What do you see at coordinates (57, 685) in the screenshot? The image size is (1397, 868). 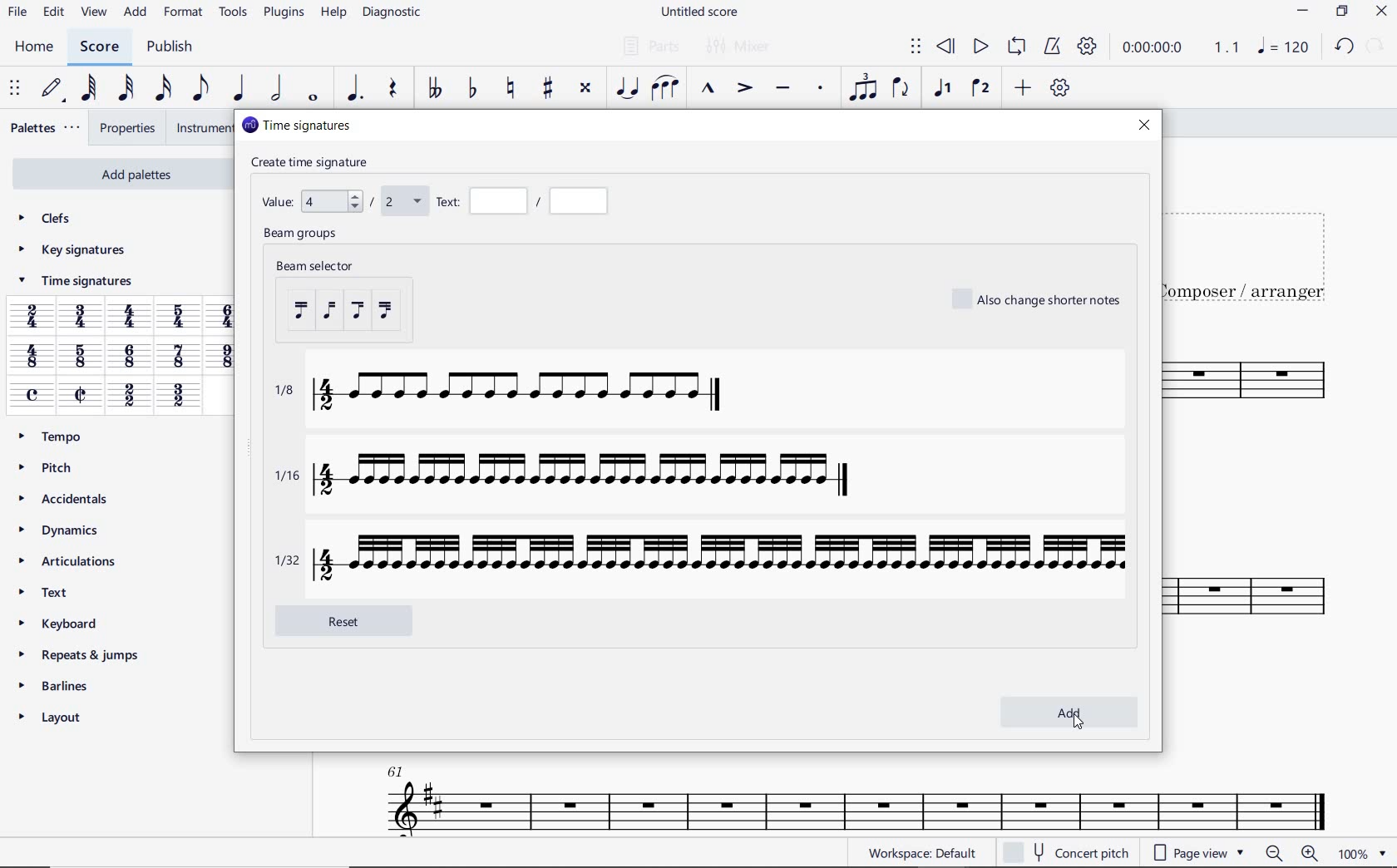 I see `BARLINES` at bounding box center [57, 685].